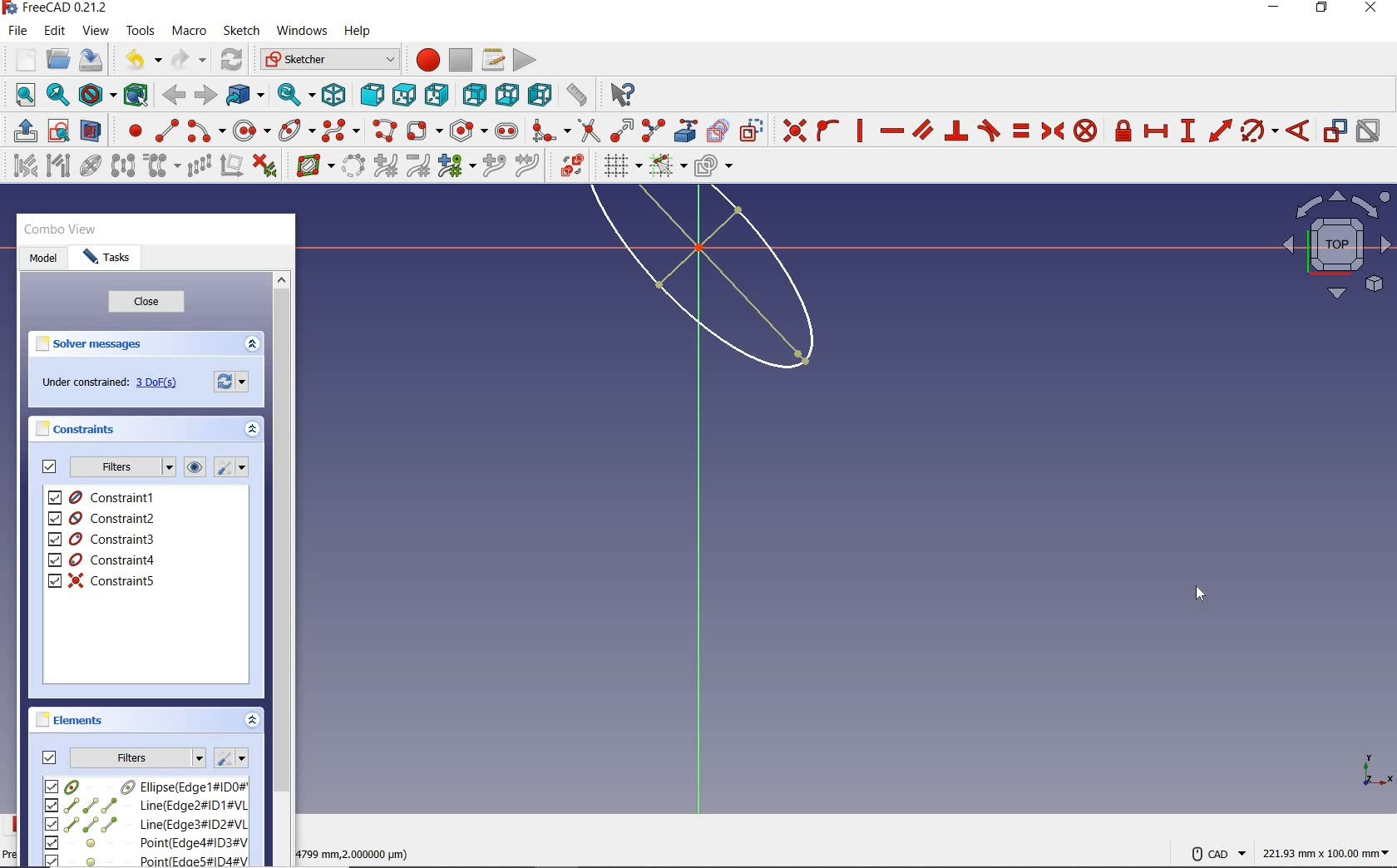 This screenshot has width=1397, height=868. Describe the element at coordinates (1327, 851) in the screenshot. I see `measurement` at that location.